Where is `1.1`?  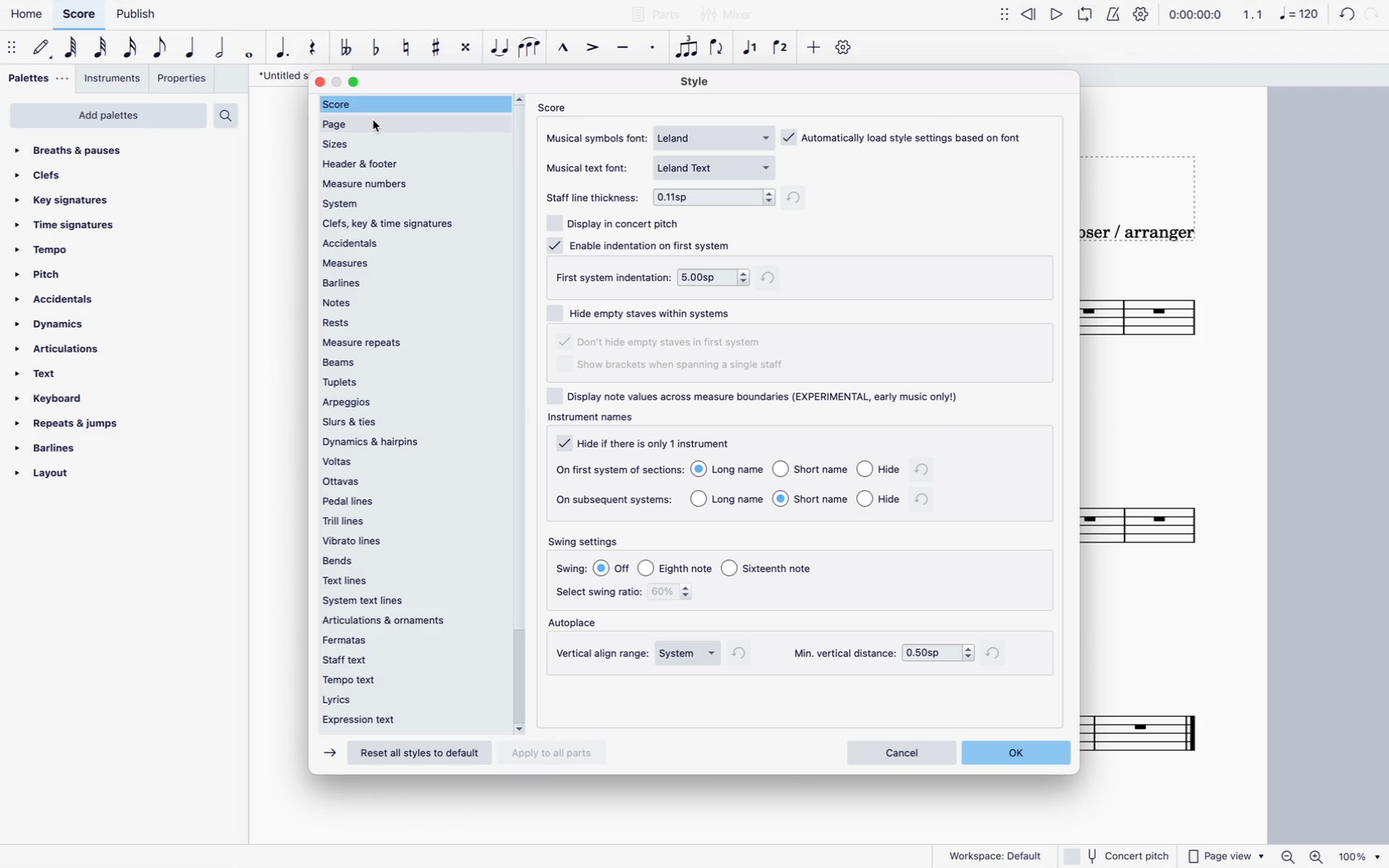 1.1 is located at coordinates (1253, 15).